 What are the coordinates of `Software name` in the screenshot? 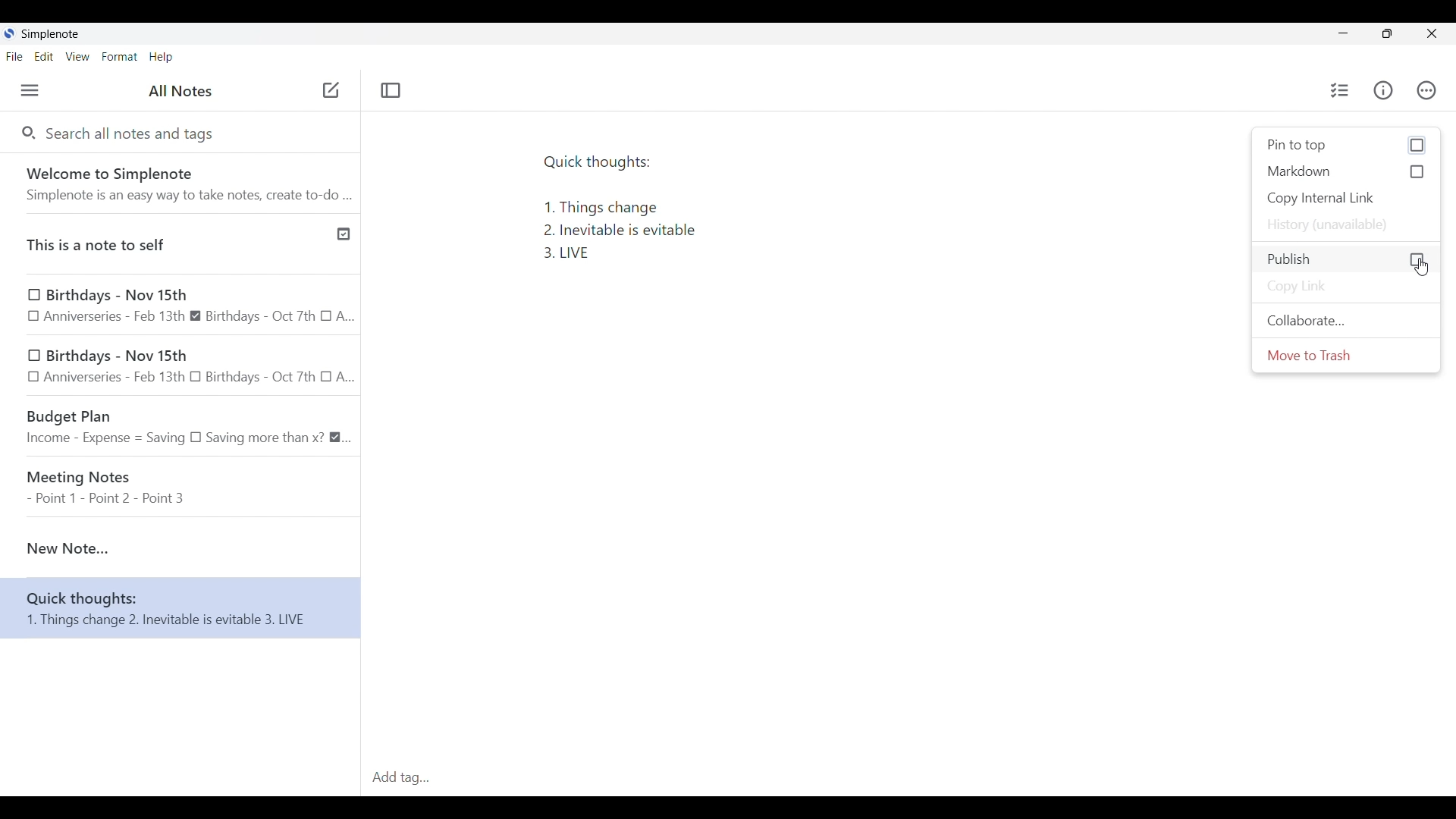 It's located at (51, 34).